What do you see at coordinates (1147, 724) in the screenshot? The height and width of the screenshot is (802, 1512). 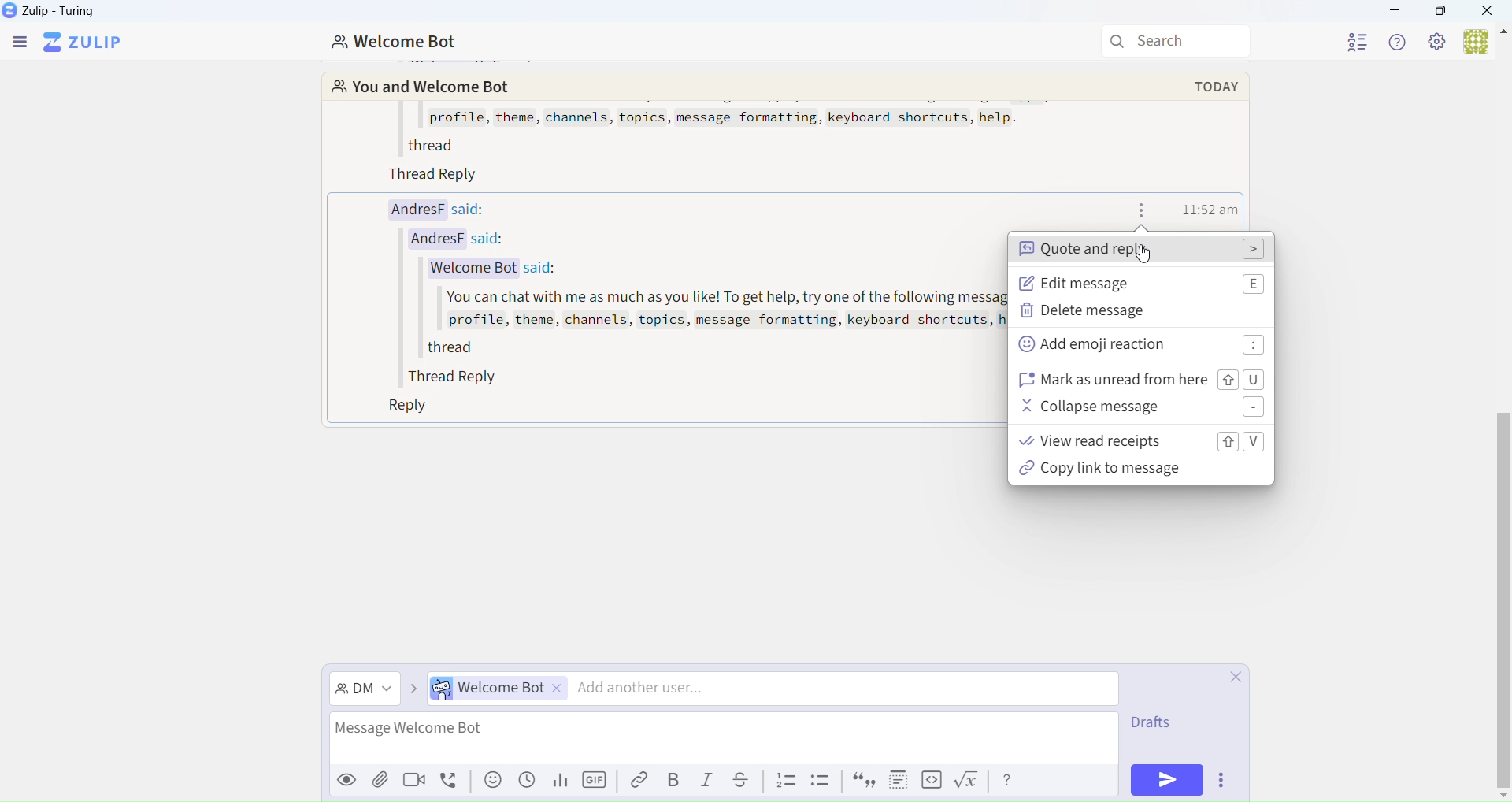 I see `Draft` at bounding box center [1147, 724].